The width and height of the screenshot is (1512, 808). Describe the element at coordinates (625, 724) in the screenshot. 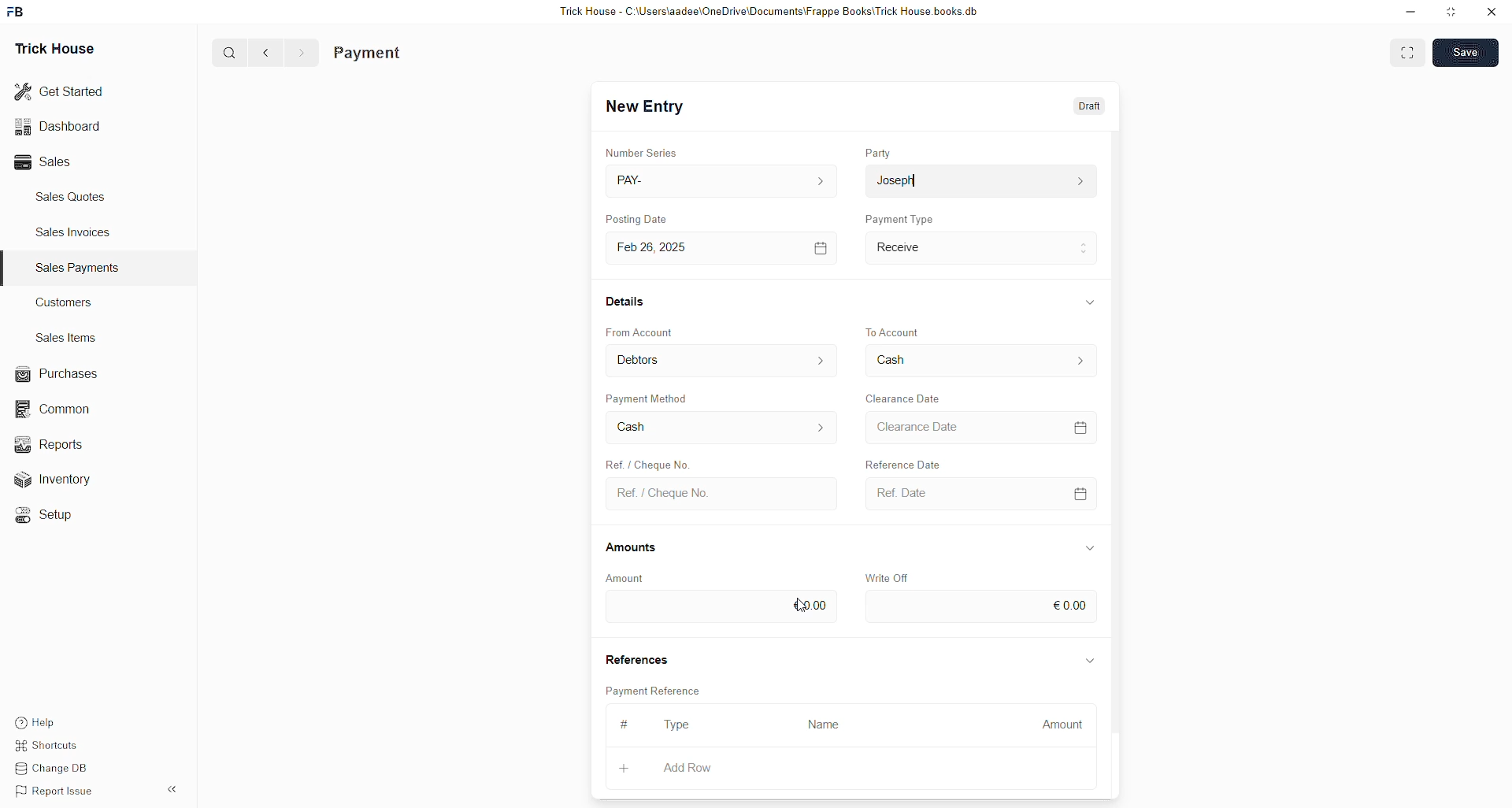

I see `#` at that location.